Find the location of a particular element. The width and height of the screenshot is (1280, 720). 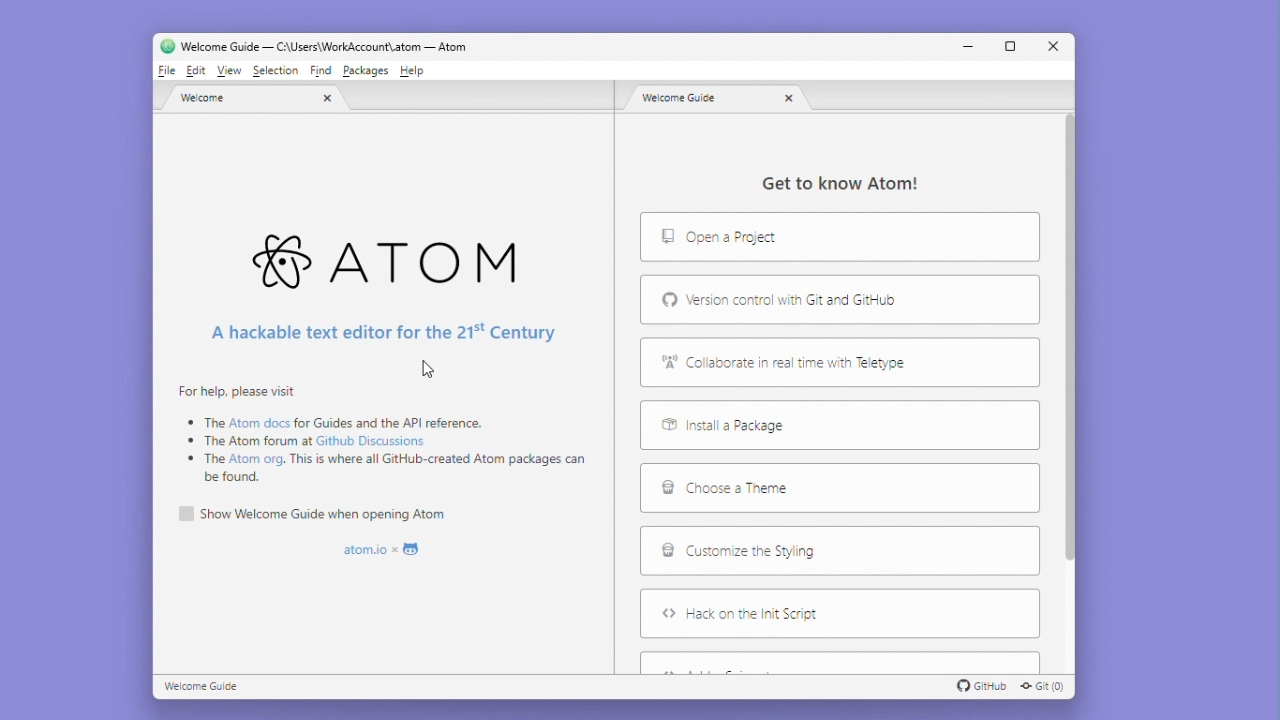

Help is located at coordinates (418, 71).